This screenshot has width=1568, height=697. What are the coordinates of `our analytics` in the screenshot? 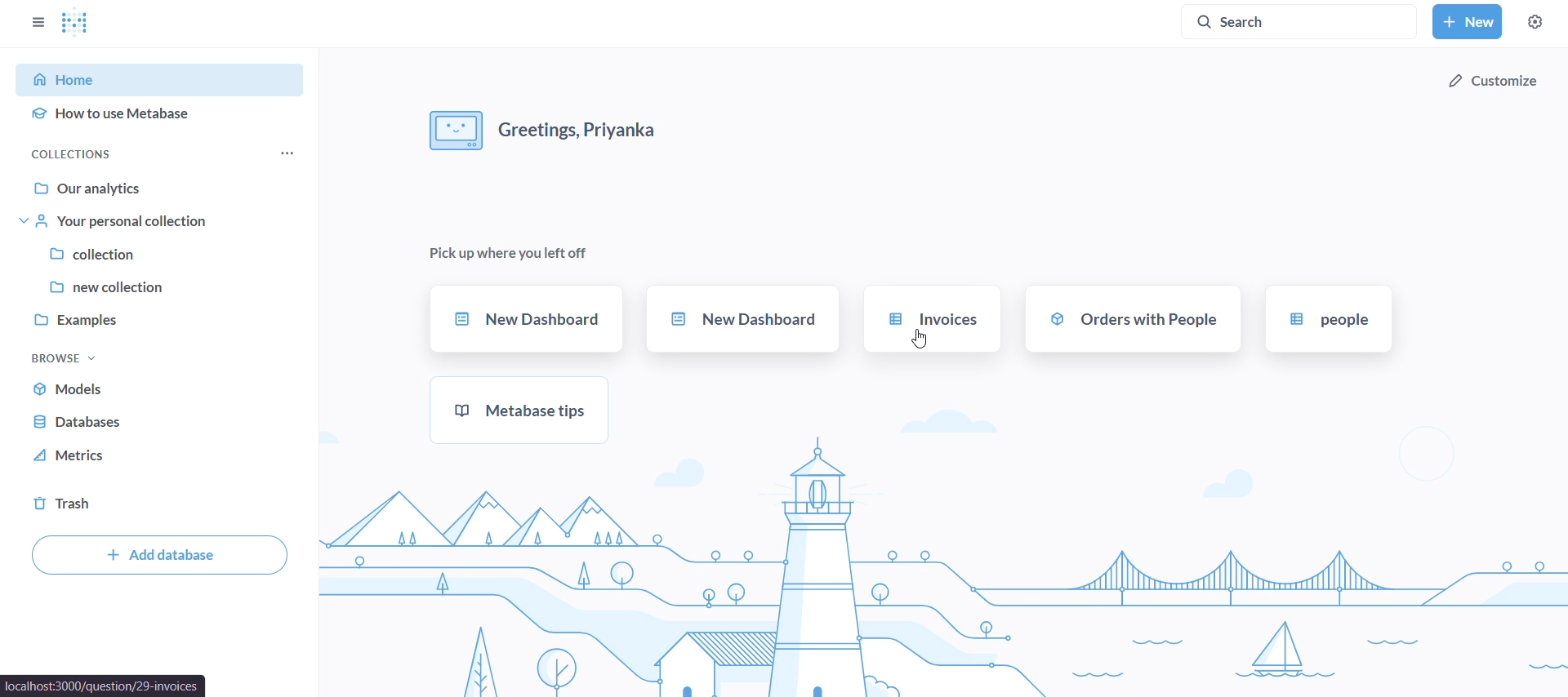 It's located at (167, 192).